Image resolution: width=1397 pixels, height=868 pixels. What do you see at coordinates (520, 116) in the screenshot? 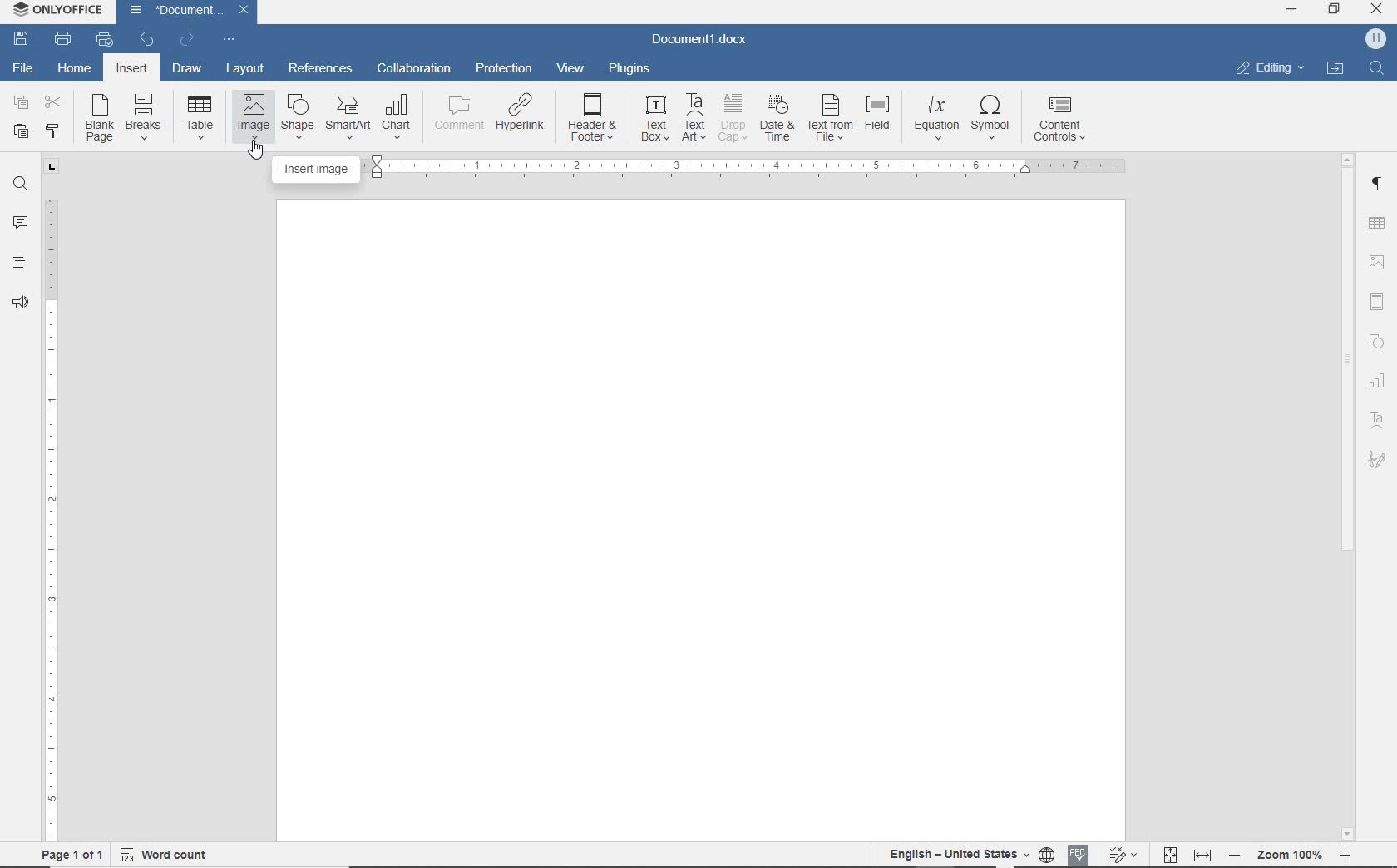
I see `hyperlink` at bounding box center [520, 116].